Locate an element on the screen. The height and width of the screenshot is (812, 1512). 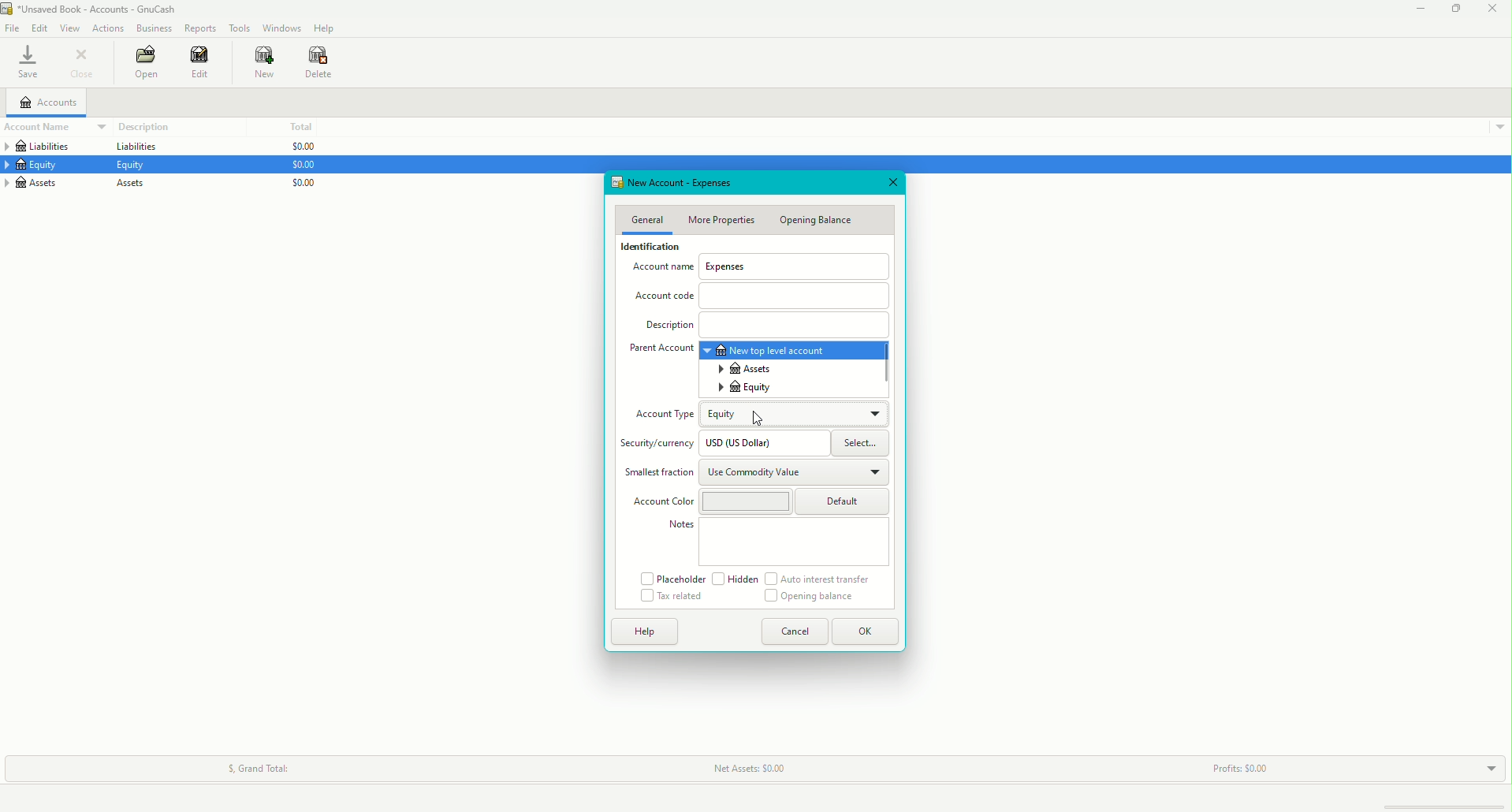
Grand Total is located at coordinates (257, 765).